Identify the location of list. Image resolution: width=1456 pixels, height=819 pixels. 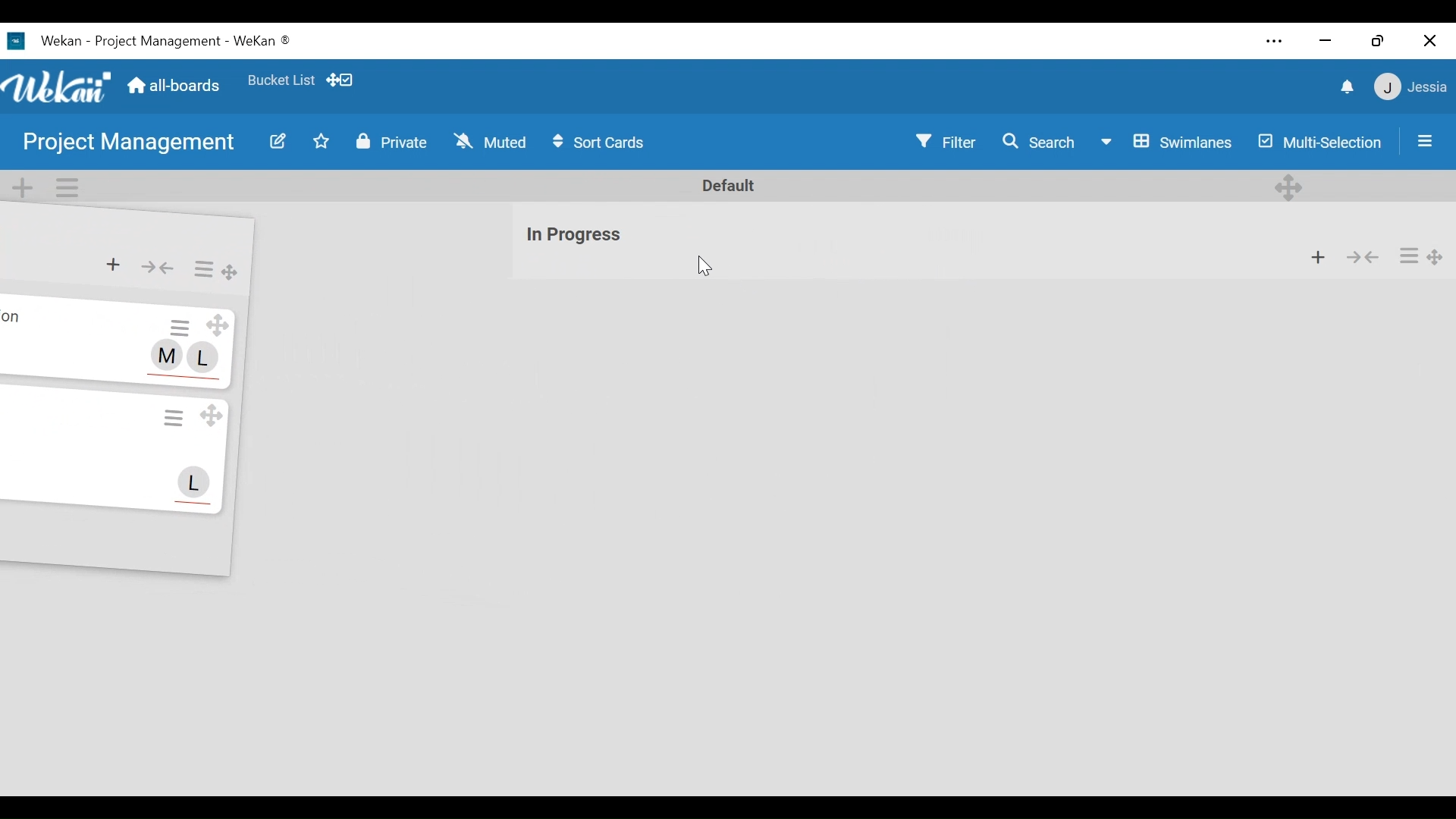
(627, 240).